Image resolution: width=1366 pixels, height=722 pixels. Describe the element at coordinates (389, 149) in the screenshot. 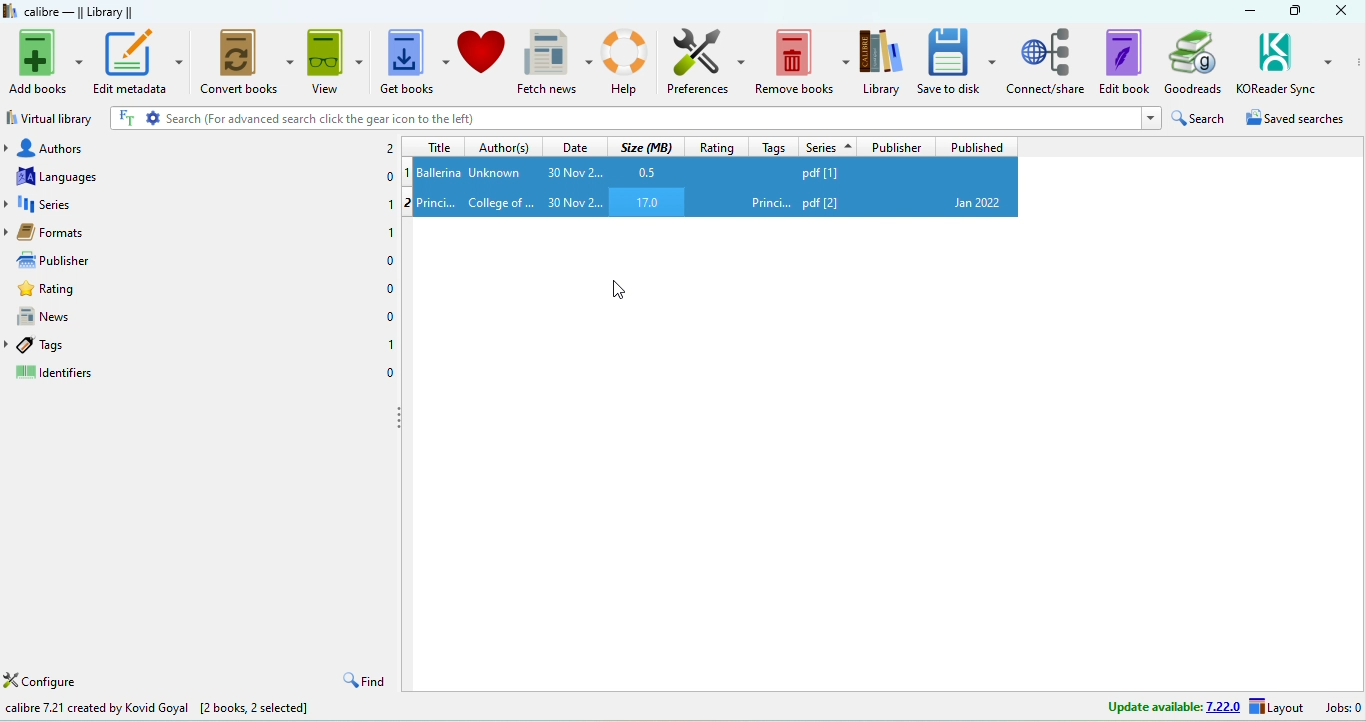

I see `2` at that location.